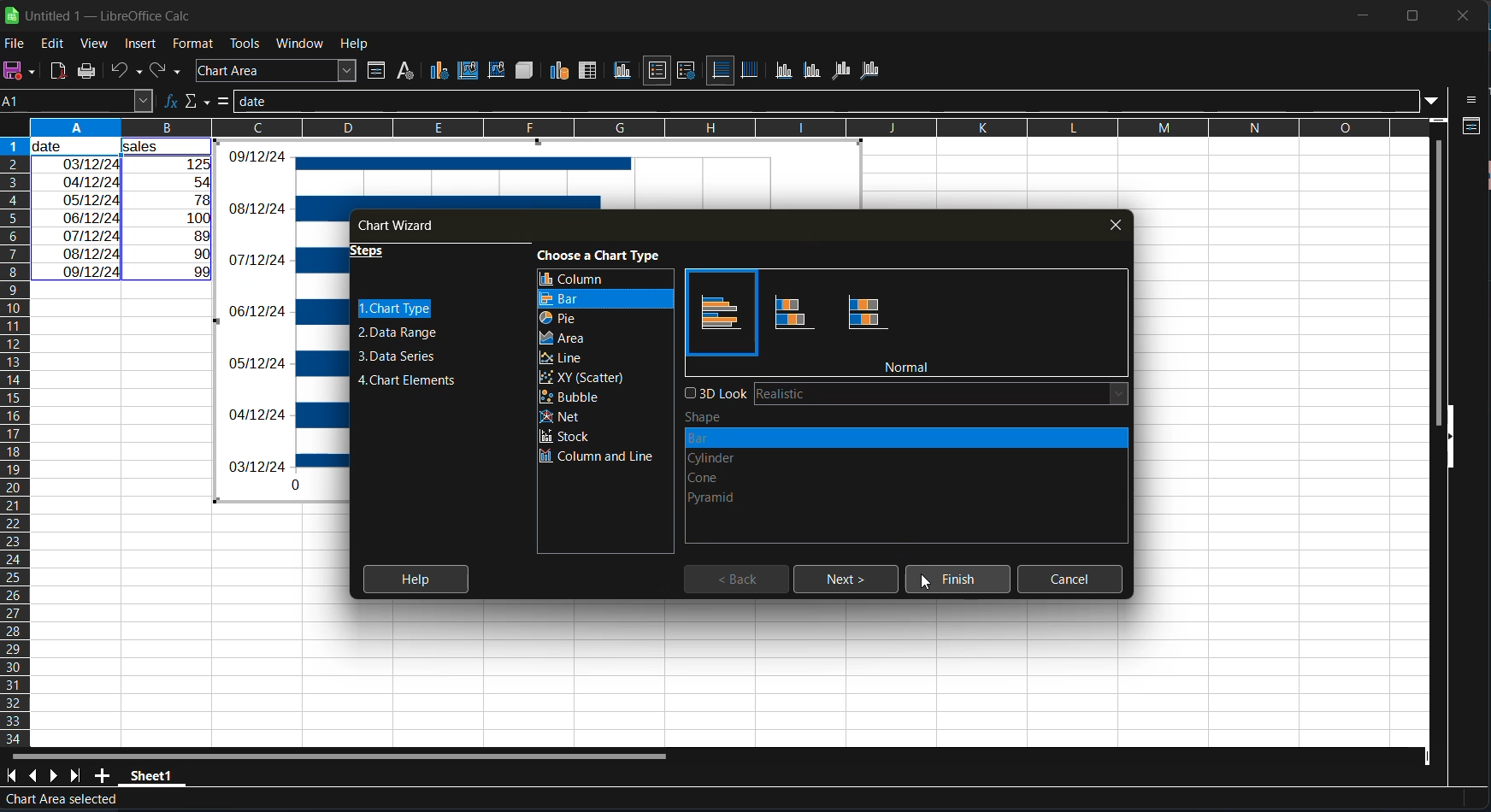 This screenshot has height=812, width=1491. Describe the element at coordinates (439, 70) in the screenshot. I see `chart type` at that location.